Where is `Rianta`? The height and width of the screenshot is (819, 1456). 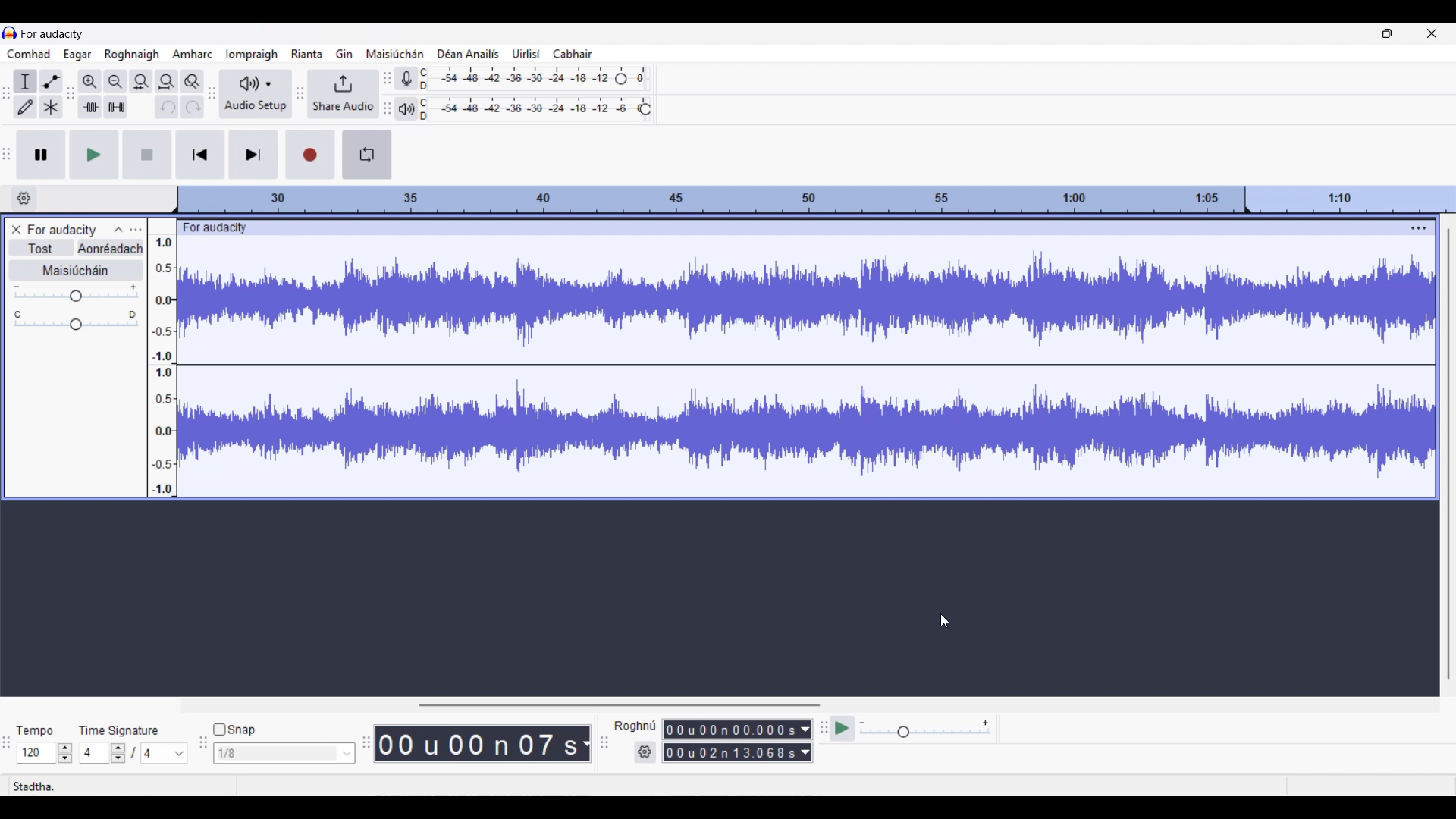
Rianta is located at coordinates (306, 54).